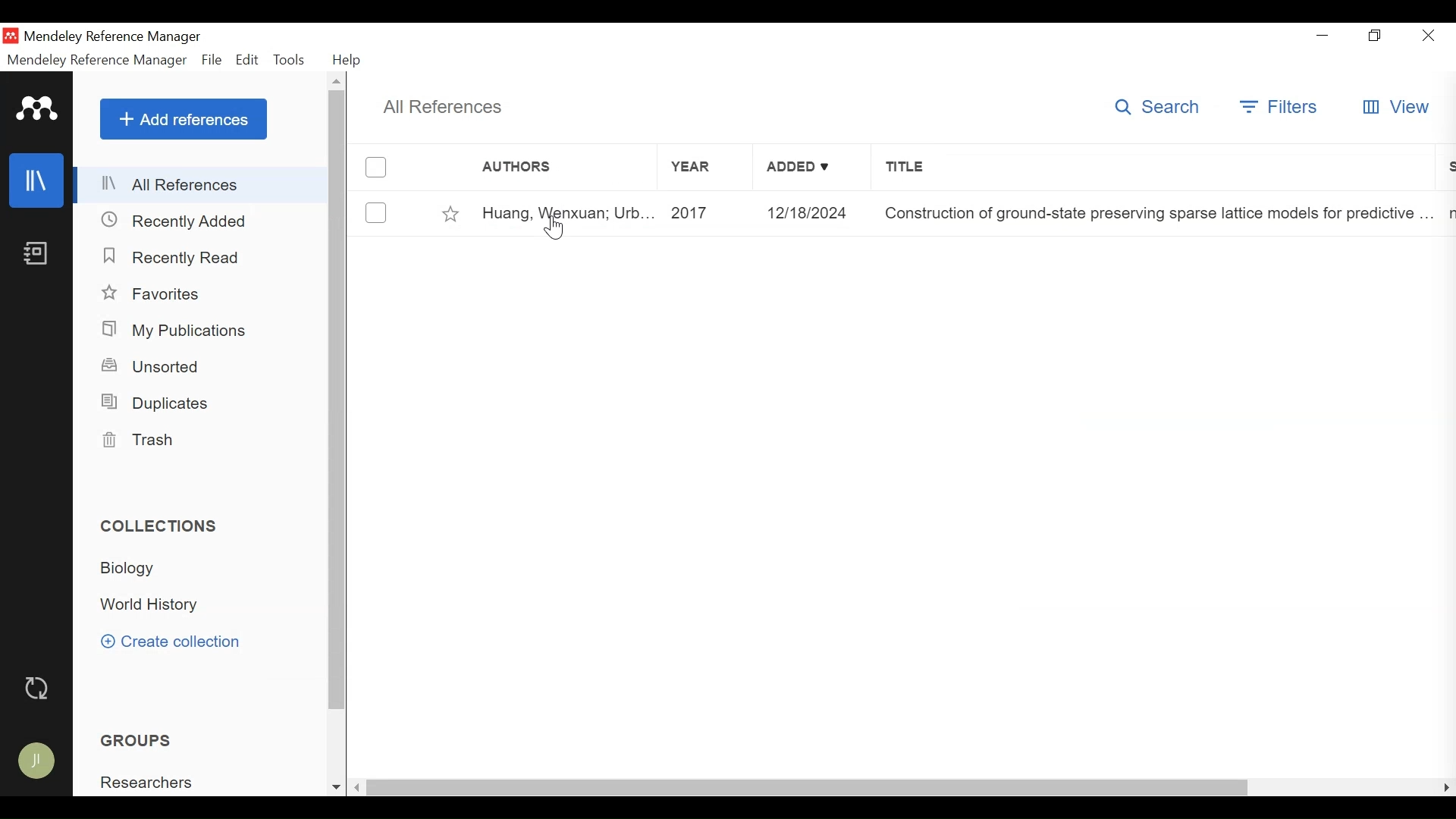 This screenshot has width=1456, height=819. Describe the element at coordinates (203, 184) in the screenshot. I see `All References` at that location.